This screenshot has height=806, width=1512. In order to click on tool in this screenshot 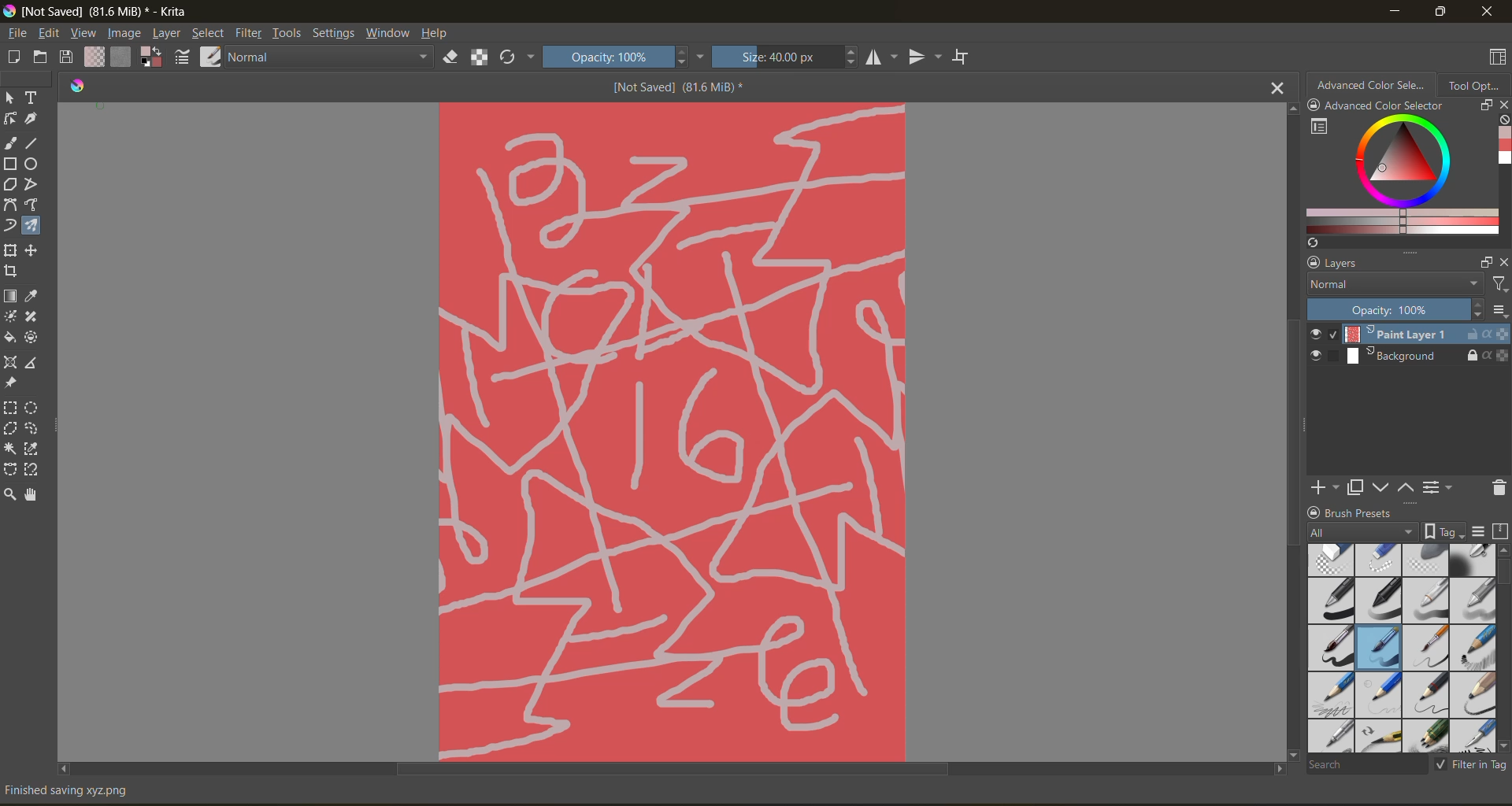, I will do `click(33, 250)`.